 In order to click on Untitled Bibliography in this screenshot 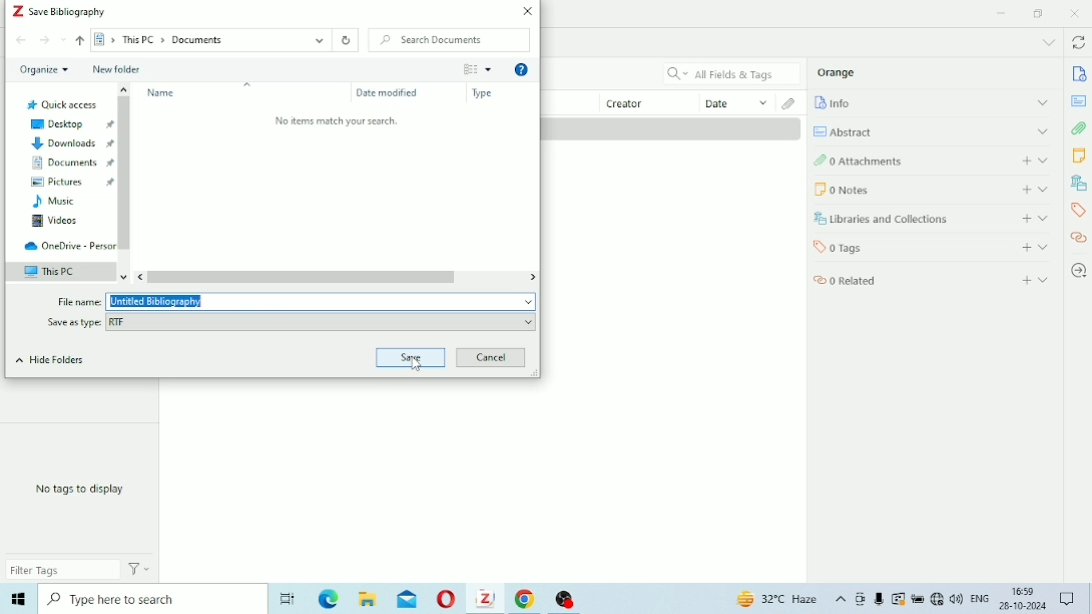, I will do `click(322, 300)`.